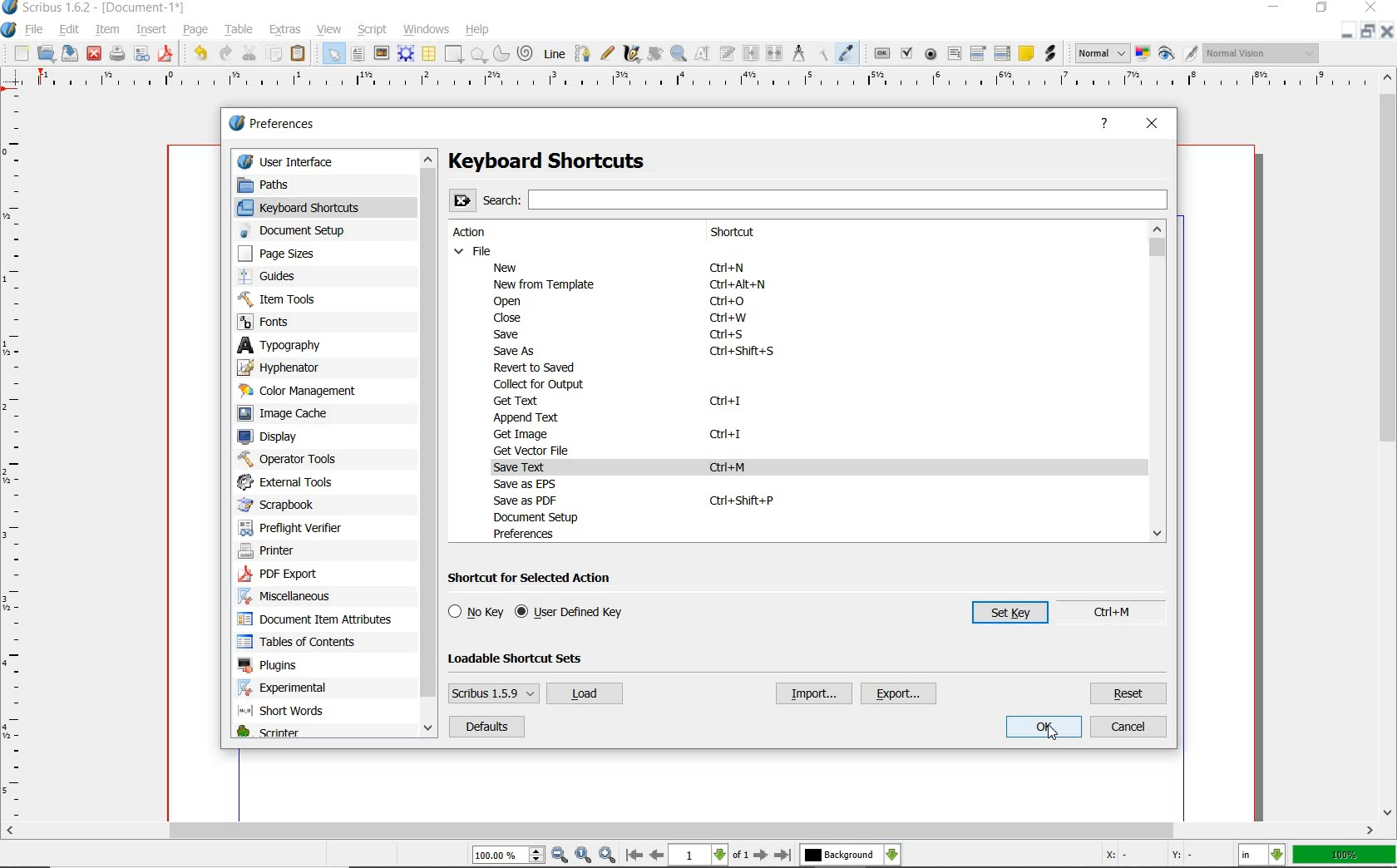 The height and width of the screenshot is (868, 1397). What do you see at coordinates (304, 230) in the screenshot?
I see `document setup` at bounding box center [304, 230].